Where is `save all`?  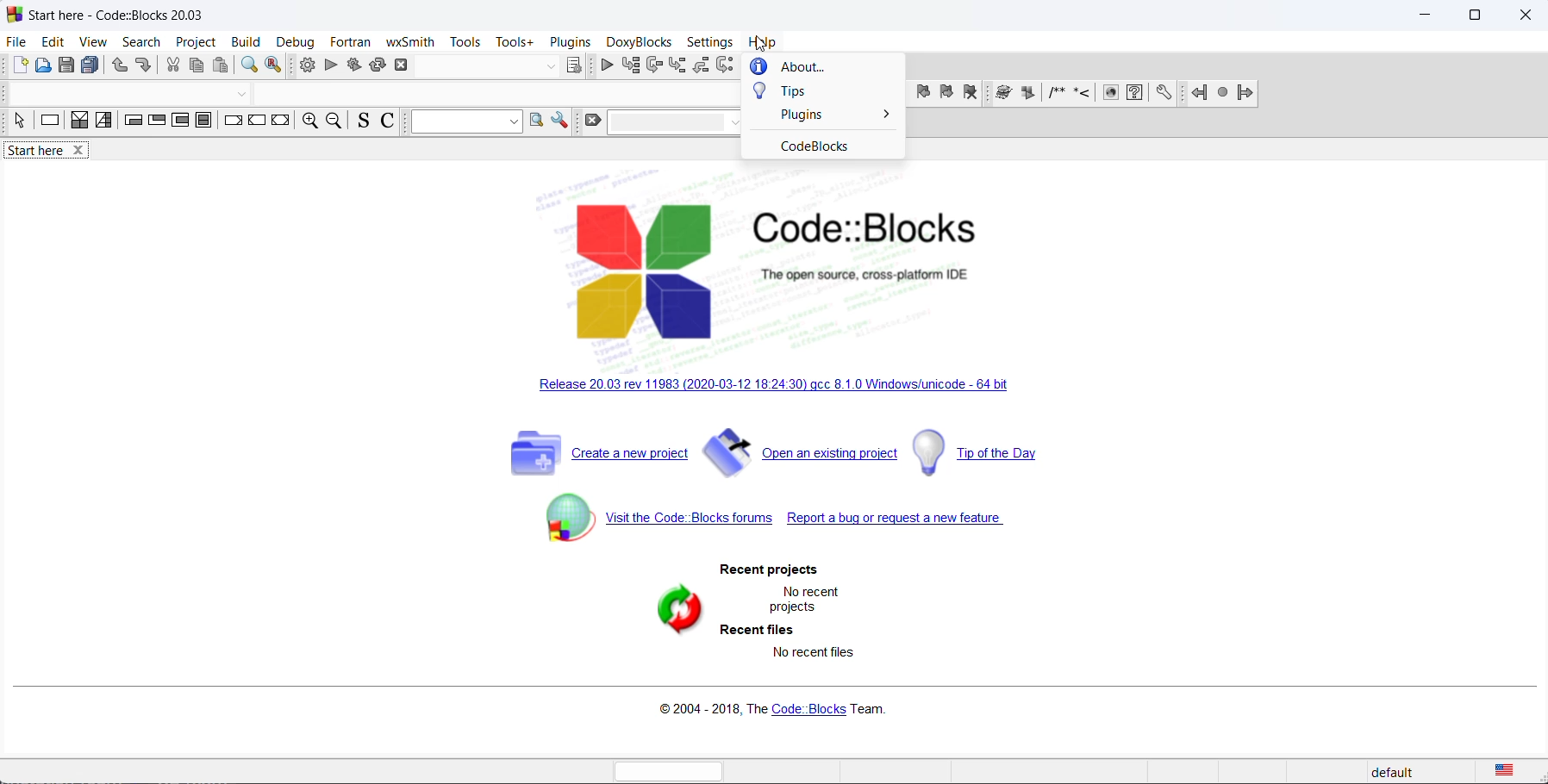 save all is located at coordinates (91, 65).